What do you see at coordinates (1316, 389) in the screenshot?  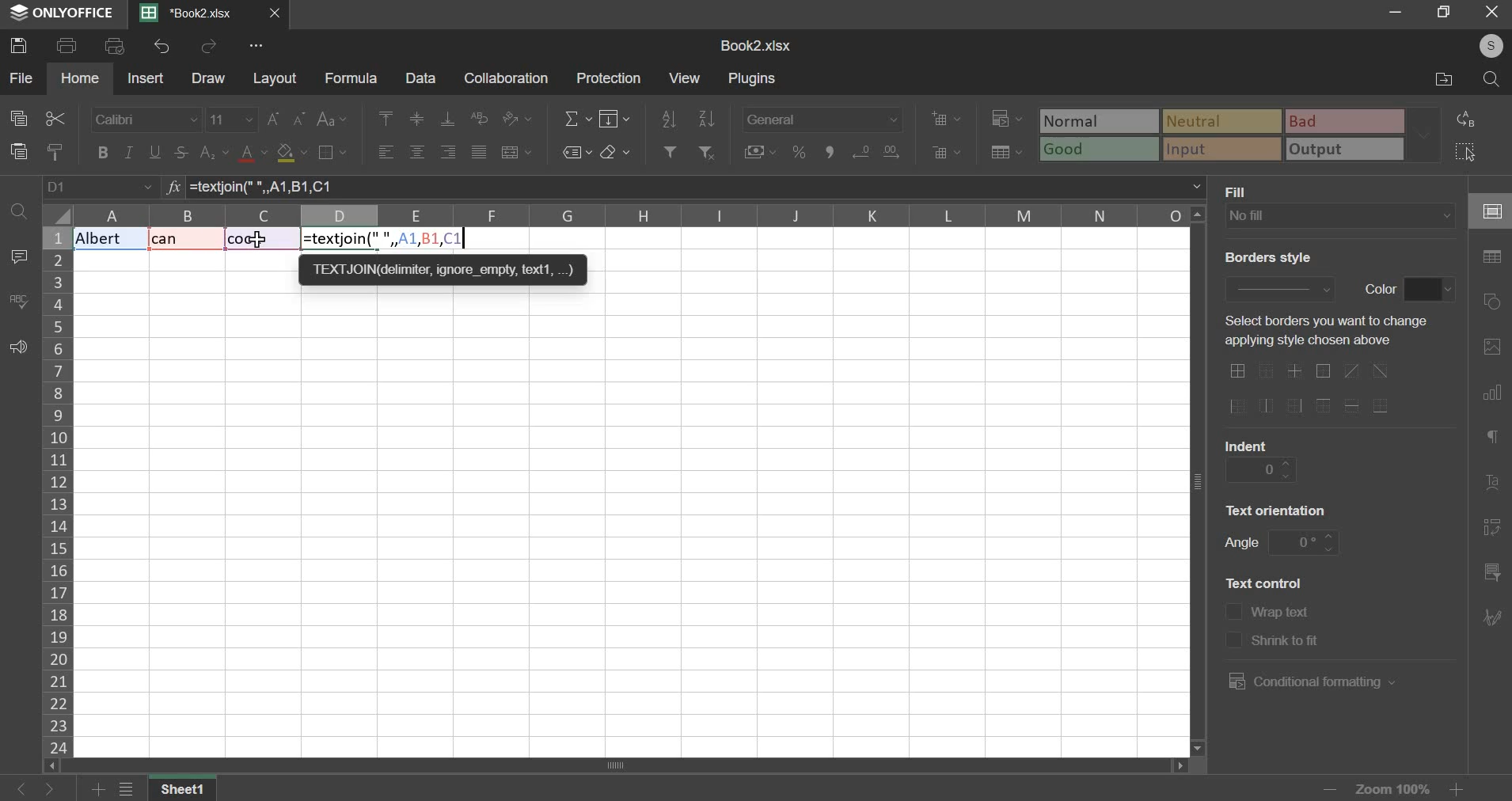 I see `border options` at bounding box center [1316, 389].